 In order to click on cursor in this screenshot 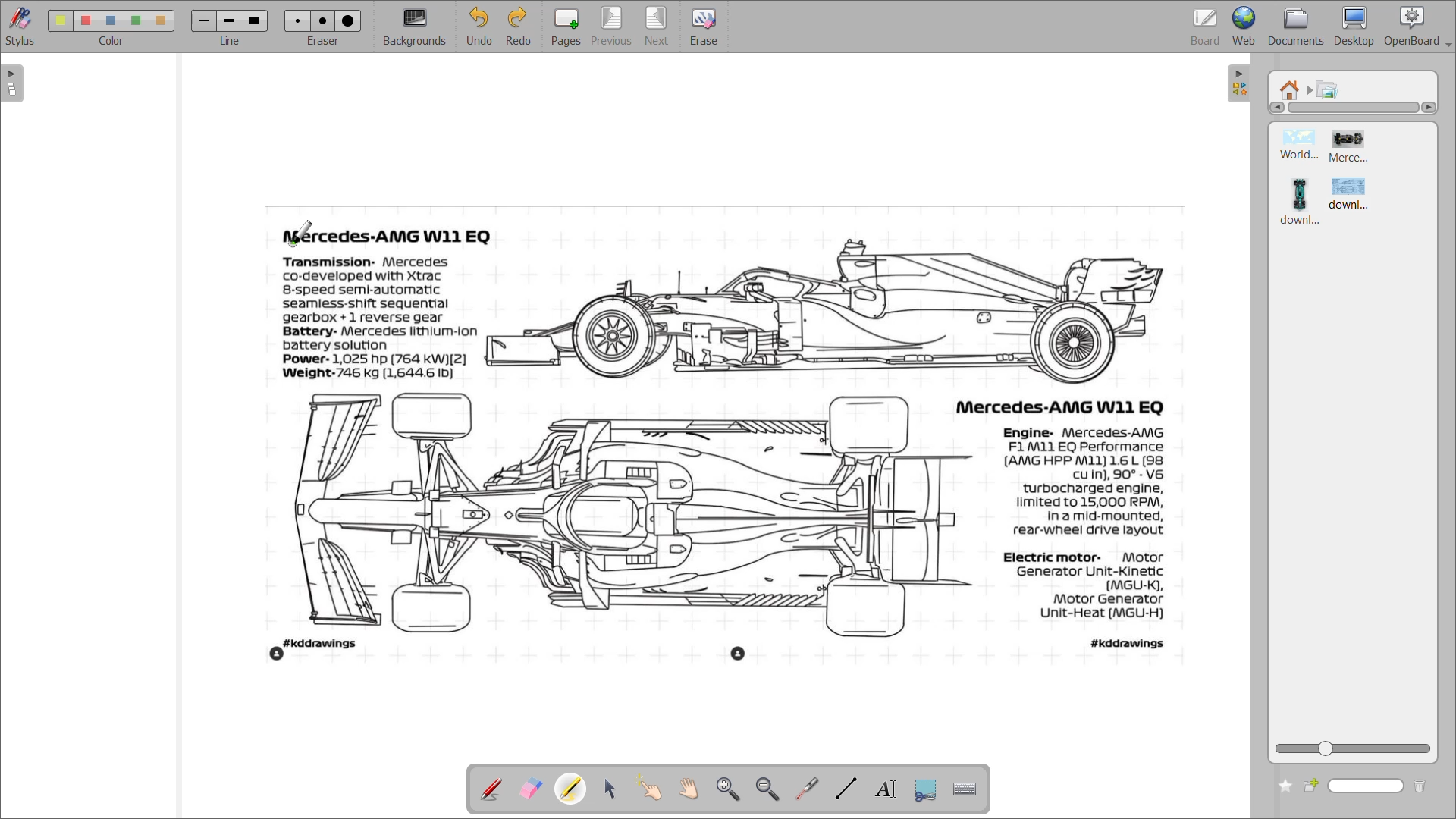, I will do `click(307, 232)`.